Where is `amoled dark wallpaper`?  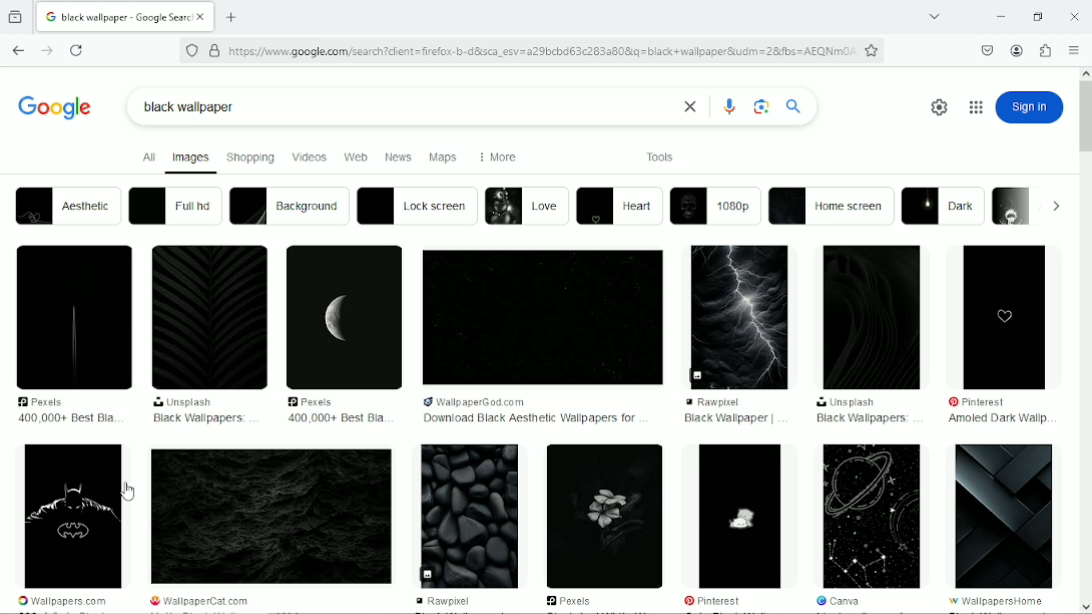
amoled dark wallpaper is located at coordinates (996, 420).